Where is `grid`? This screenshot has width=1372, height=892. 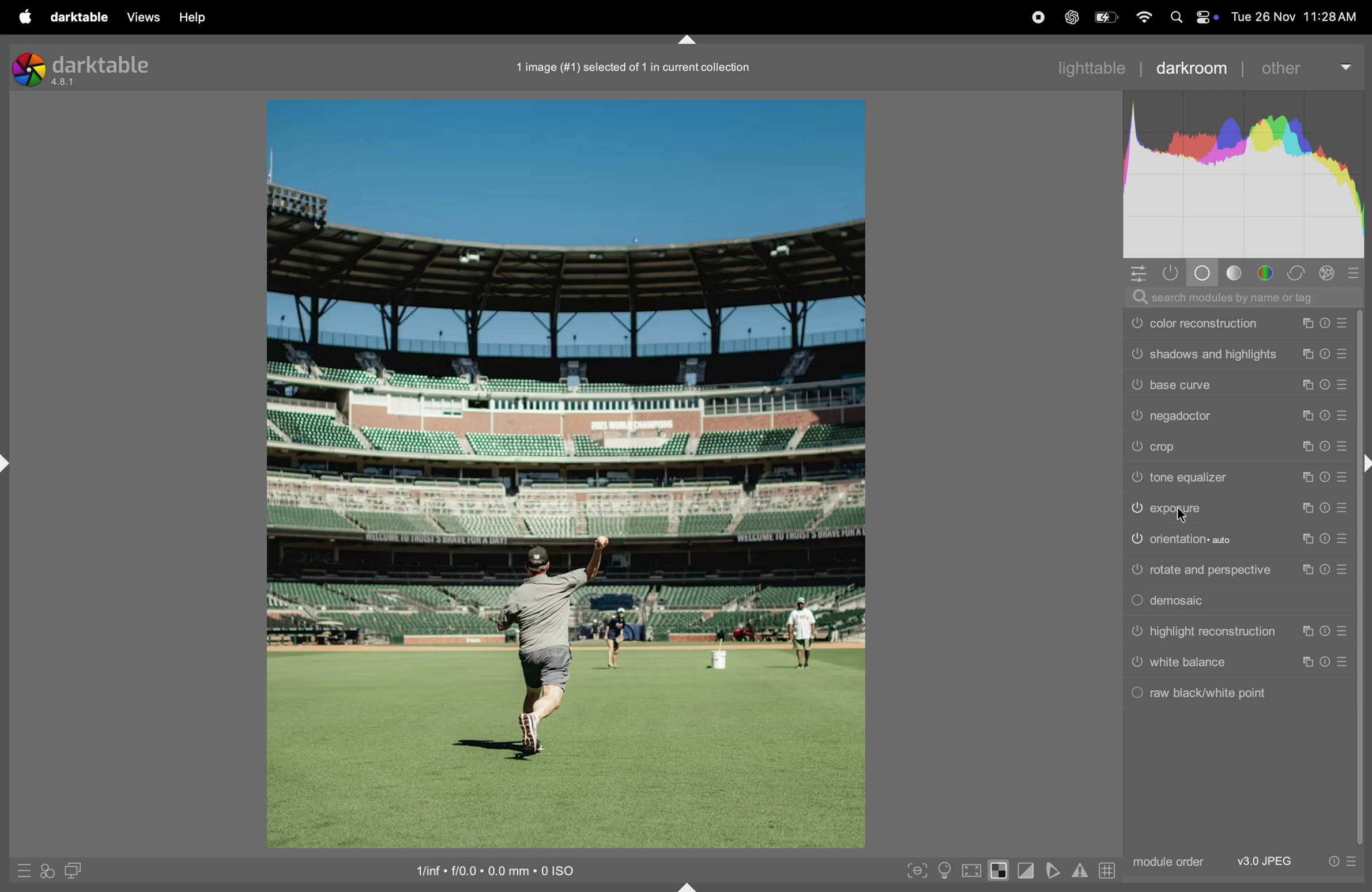
grid is located at coordinates (1105, 870).